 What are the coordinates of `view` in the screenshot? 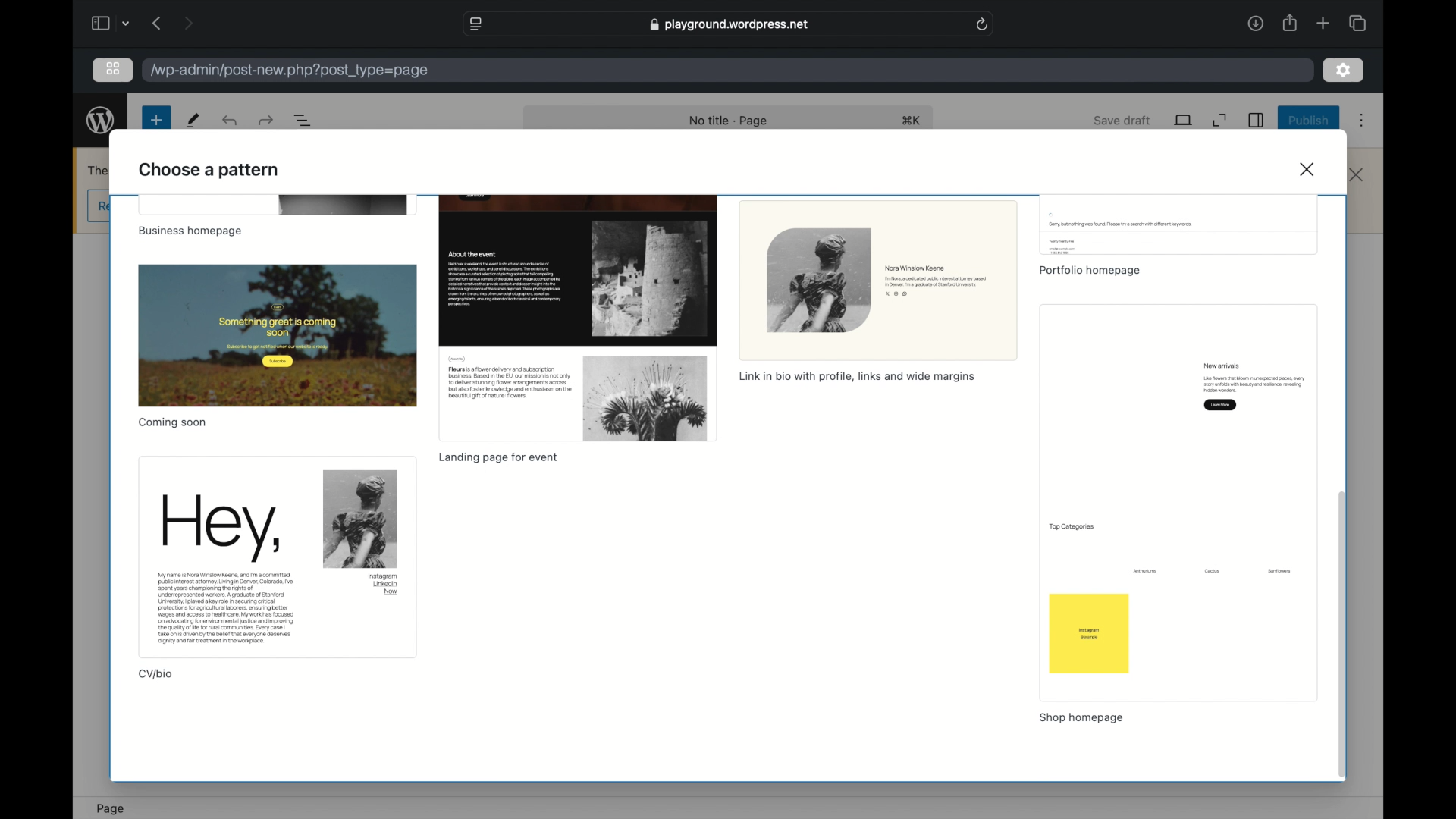 It's located at (1183, 121).